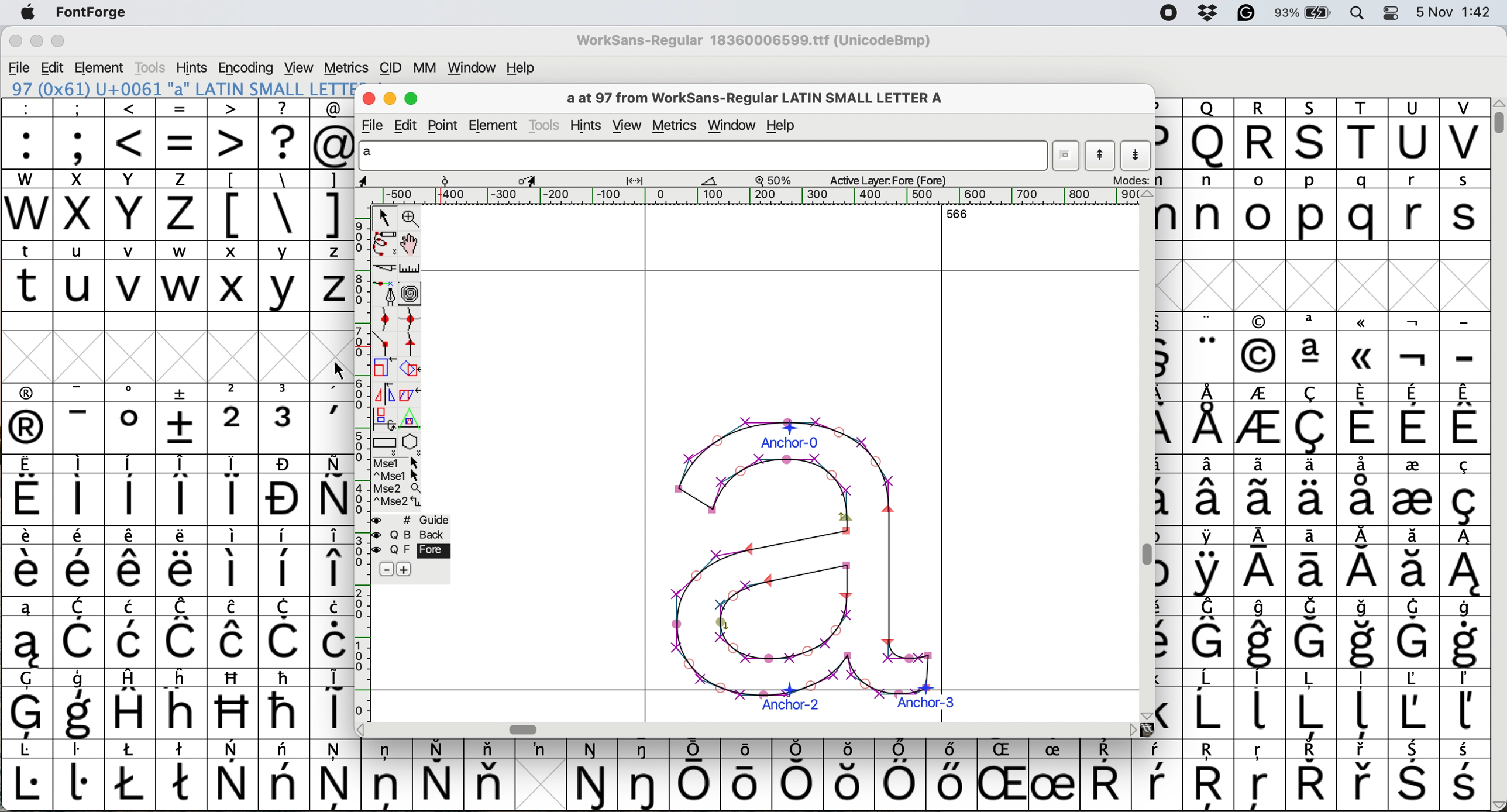  What do you see at coordinates (130, 133) in the screenshot?
I see `<` at bounding box center [130, 133].